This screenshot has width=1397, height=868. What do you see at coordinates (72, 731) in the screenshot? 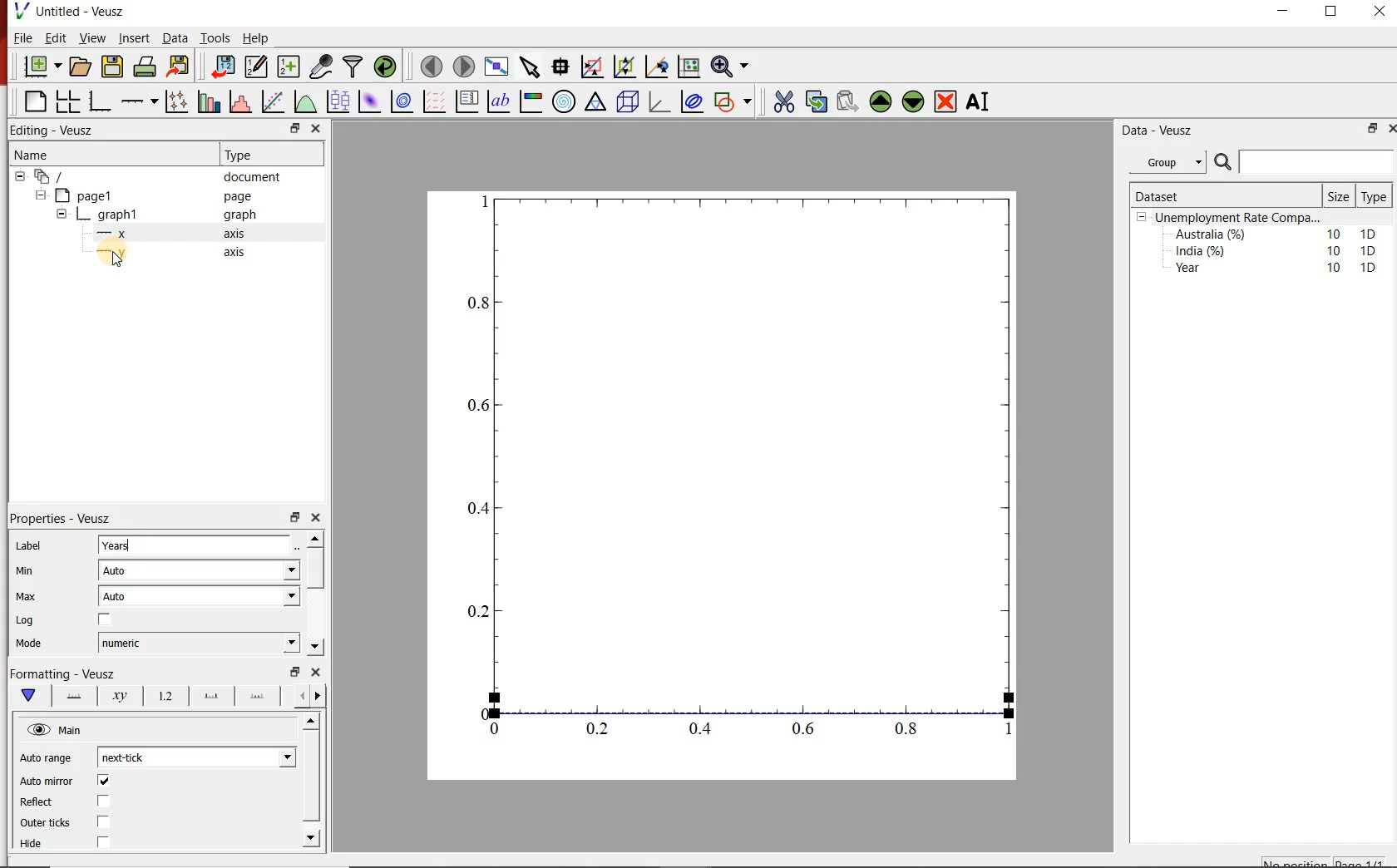
I see `Main` at bounding box center [72, 731].